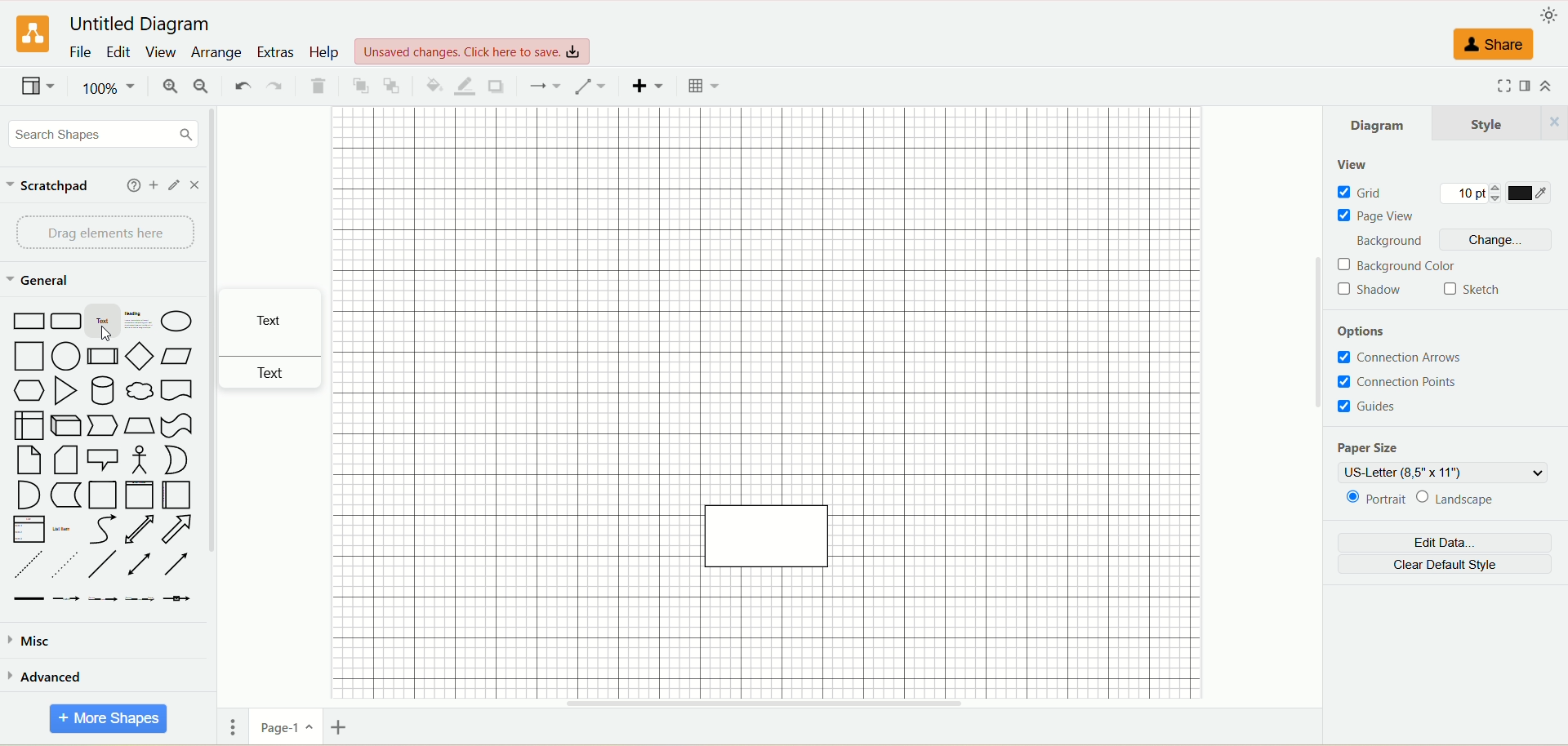 The image size is (1568, 746). I want to click on shape, so click(767, 540).